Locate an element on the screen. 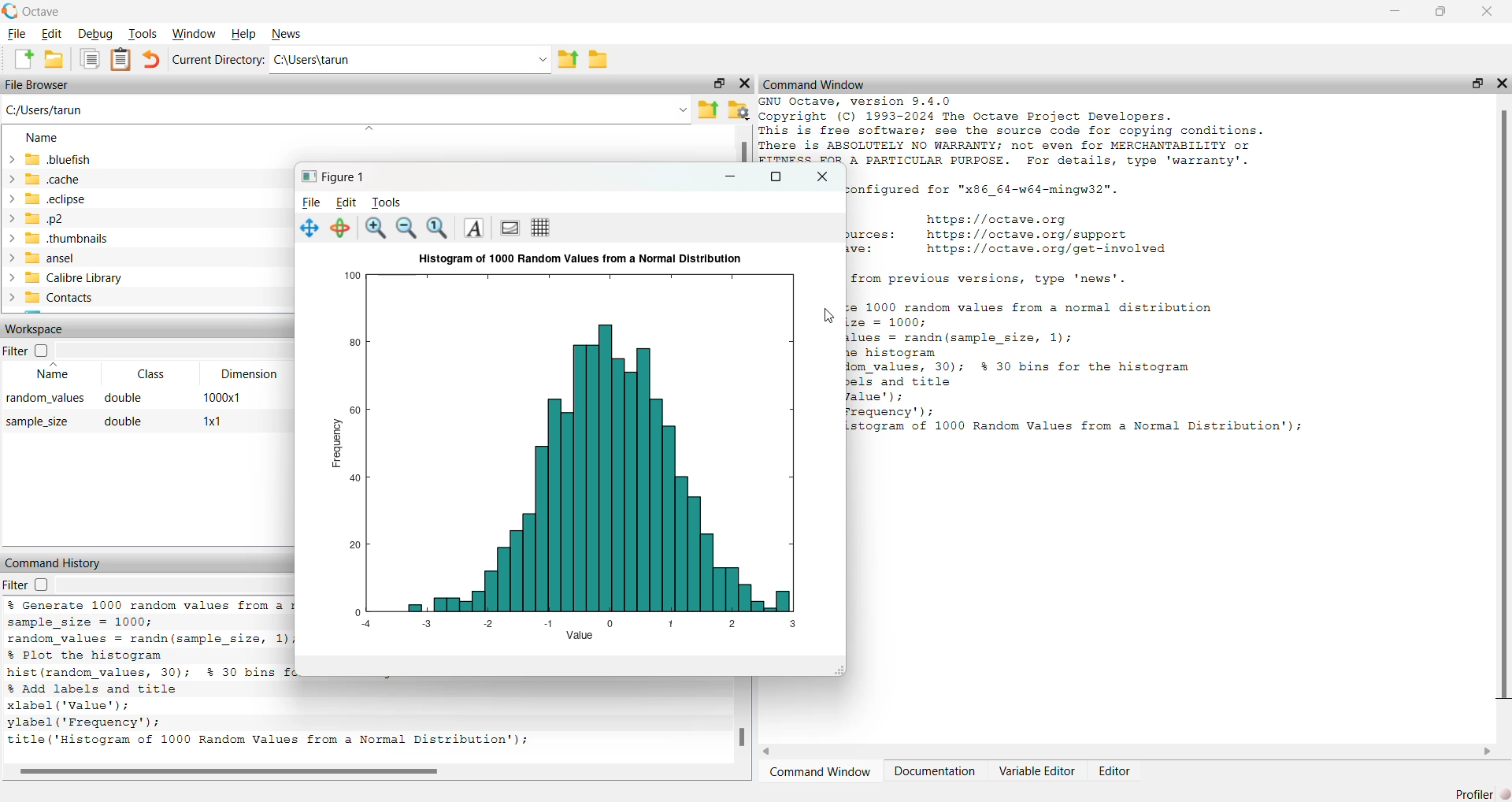 Image resolution: width=1512 pixels, height=802 pixels. https://octave.org is located at coordinates (1001, 217).